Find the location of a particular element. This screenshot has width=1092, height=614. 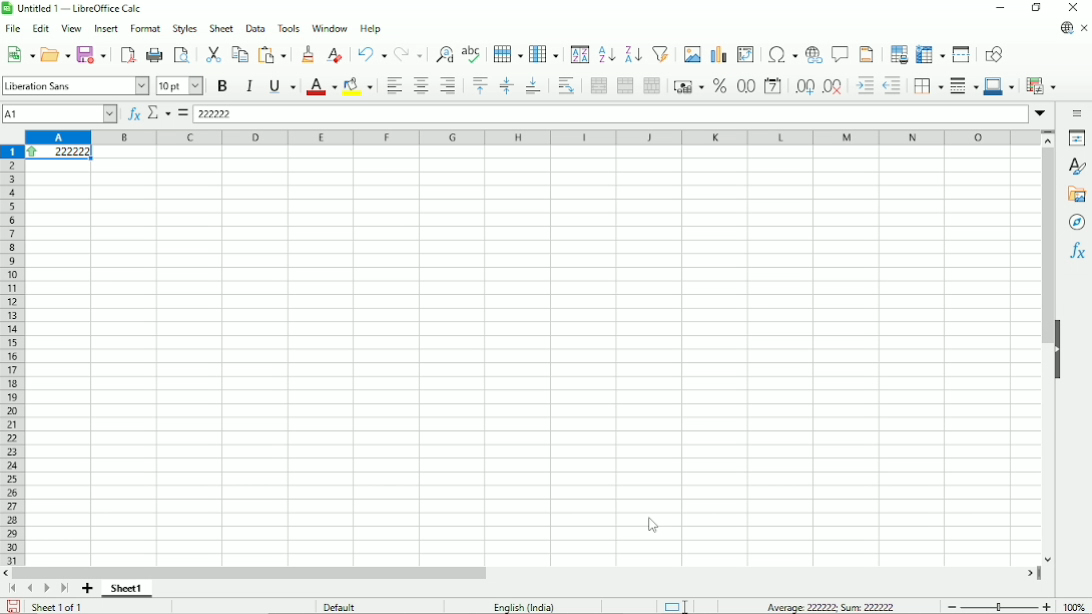

Background color is located at coordinates (360, 86).